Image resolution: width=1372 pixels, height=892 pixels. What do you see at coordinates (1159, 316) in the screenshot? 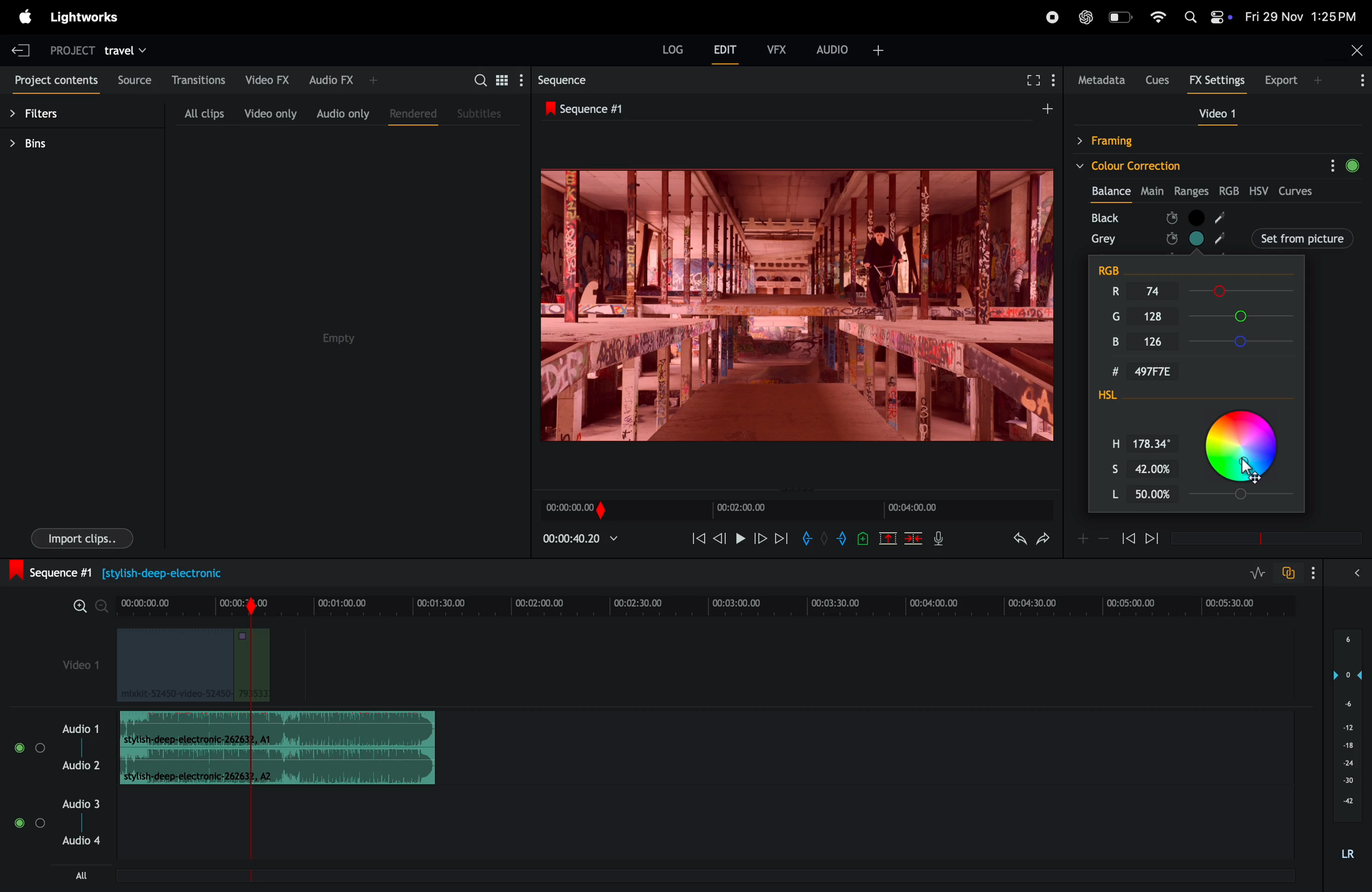
I see `G Input` at bounding box center [1159, 316].